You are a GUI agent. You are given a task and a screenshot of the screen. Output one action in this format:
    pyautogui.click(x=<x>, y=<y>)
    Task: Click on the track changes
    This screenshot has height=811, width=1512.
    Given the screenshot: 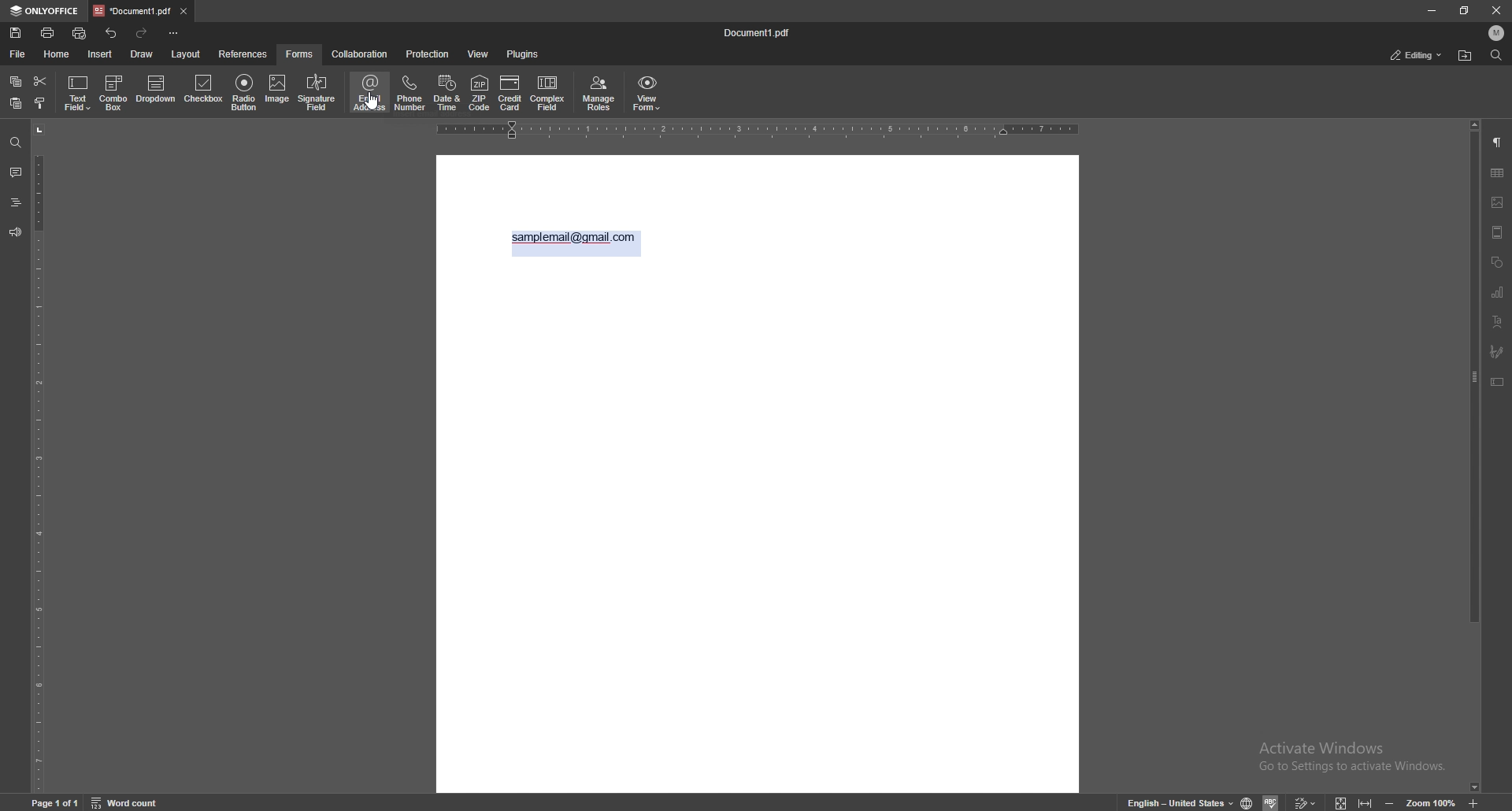 What is the action you would take?
    pyautogui.click(x=1306, y=802)
    